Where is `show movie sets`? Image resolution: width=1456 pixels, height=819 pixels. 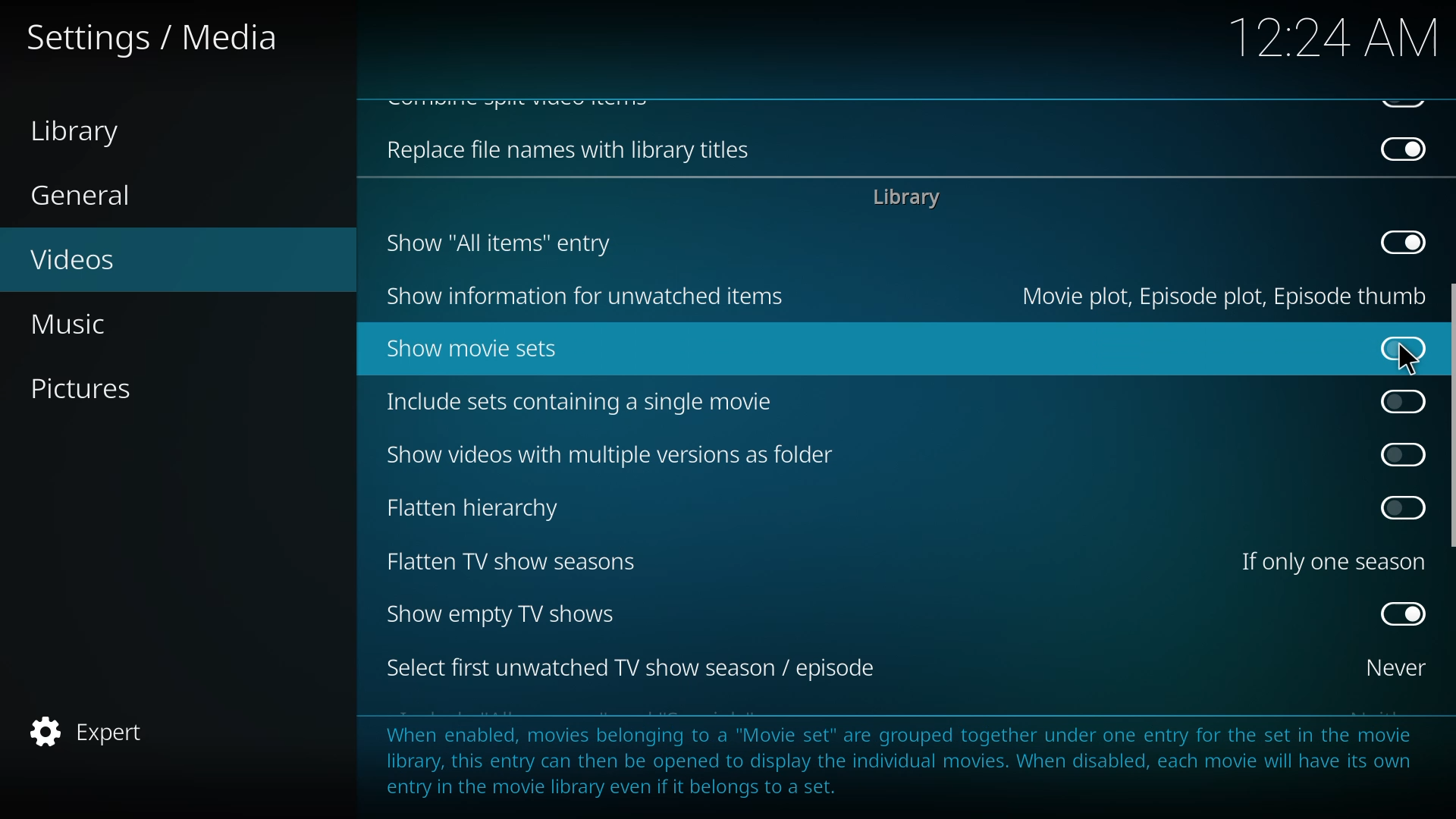
show movie sets is located at coordinates (471, 347).